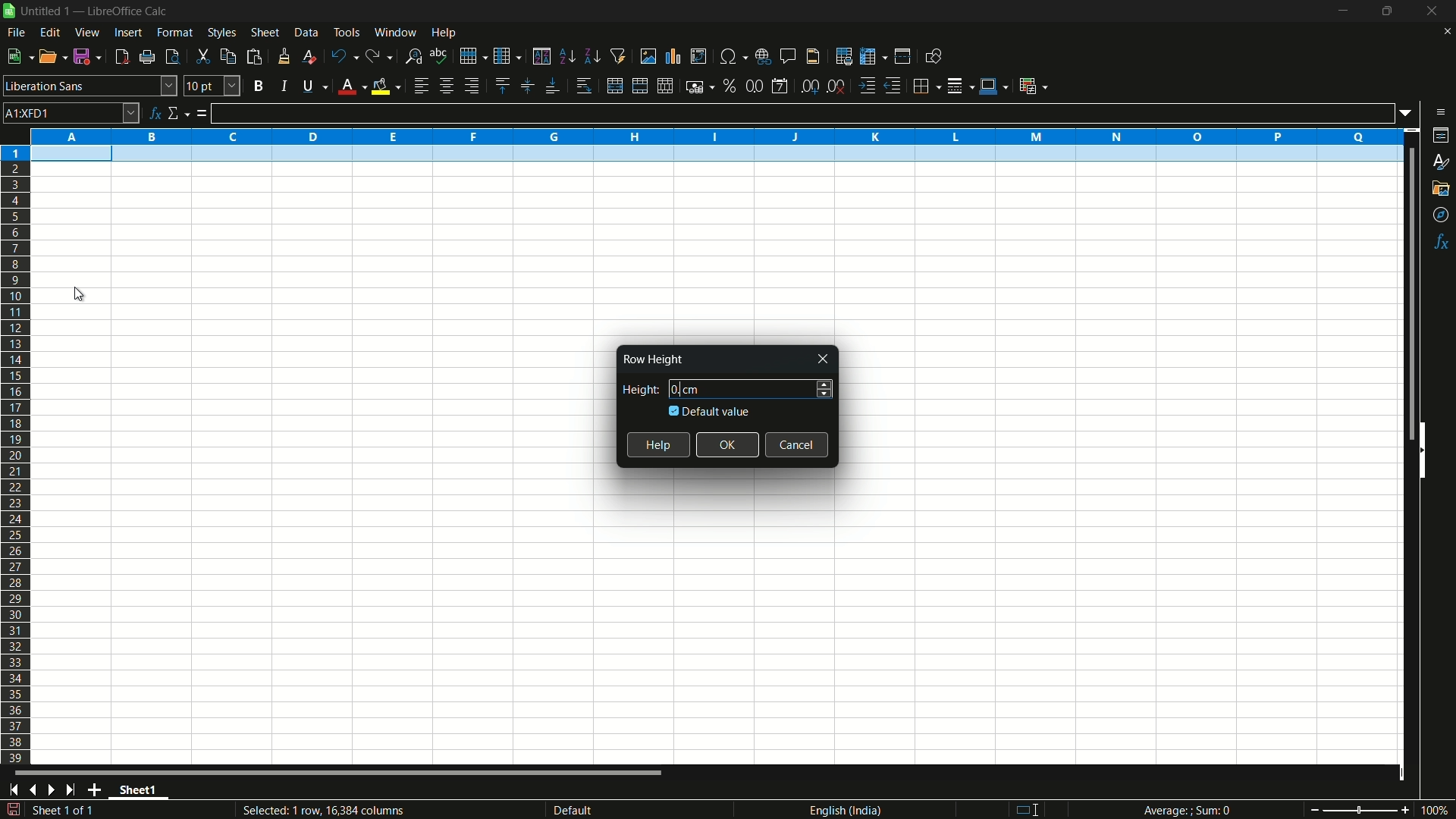  Describe the element at coordinates (619, 56) in the screenshot. I see `auto filter` at that location.